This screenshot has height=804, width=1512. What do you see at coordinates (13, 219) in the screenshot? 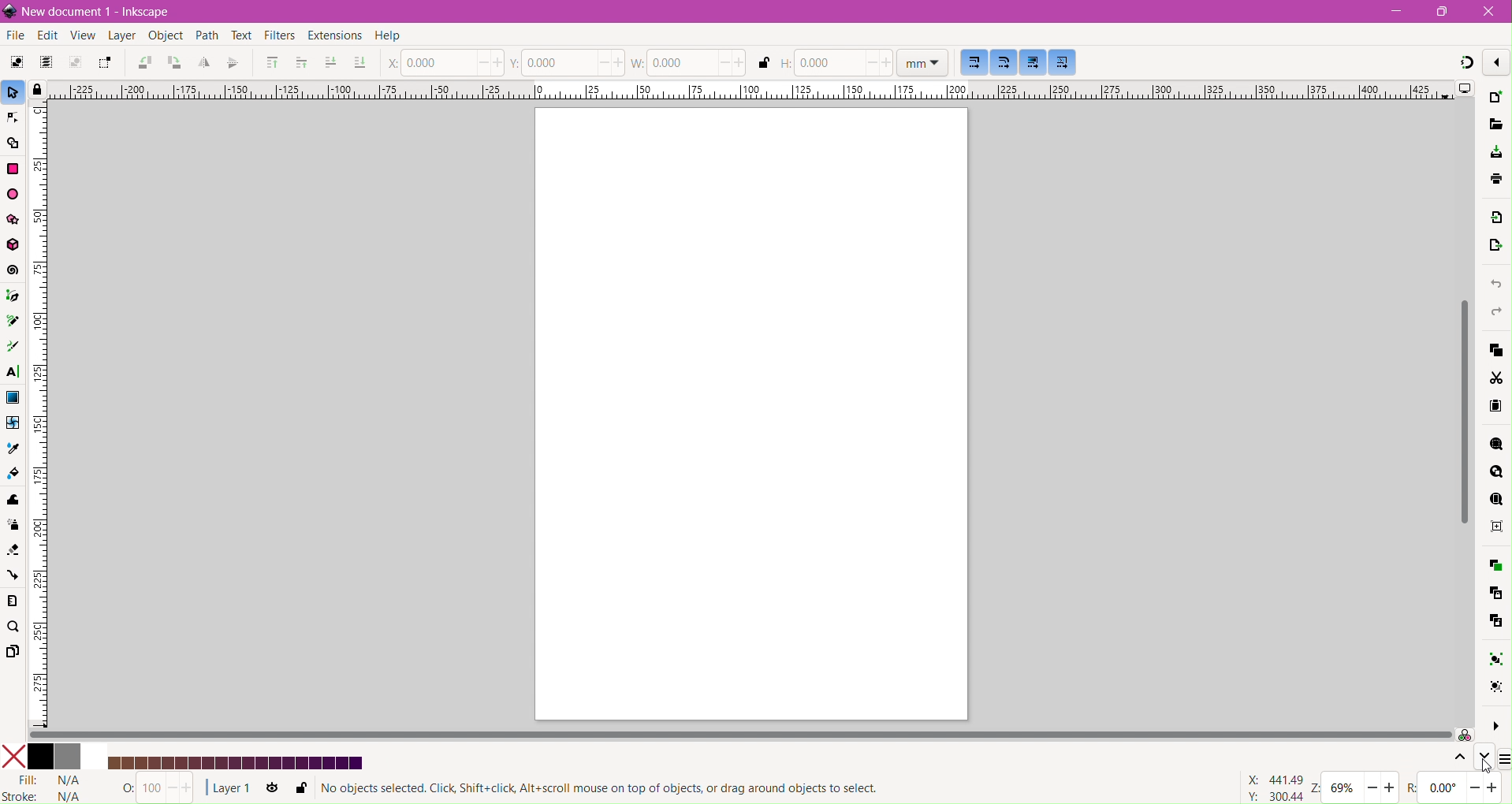
I see `Star/Polygon Tool` at bounding box center [13, 219].